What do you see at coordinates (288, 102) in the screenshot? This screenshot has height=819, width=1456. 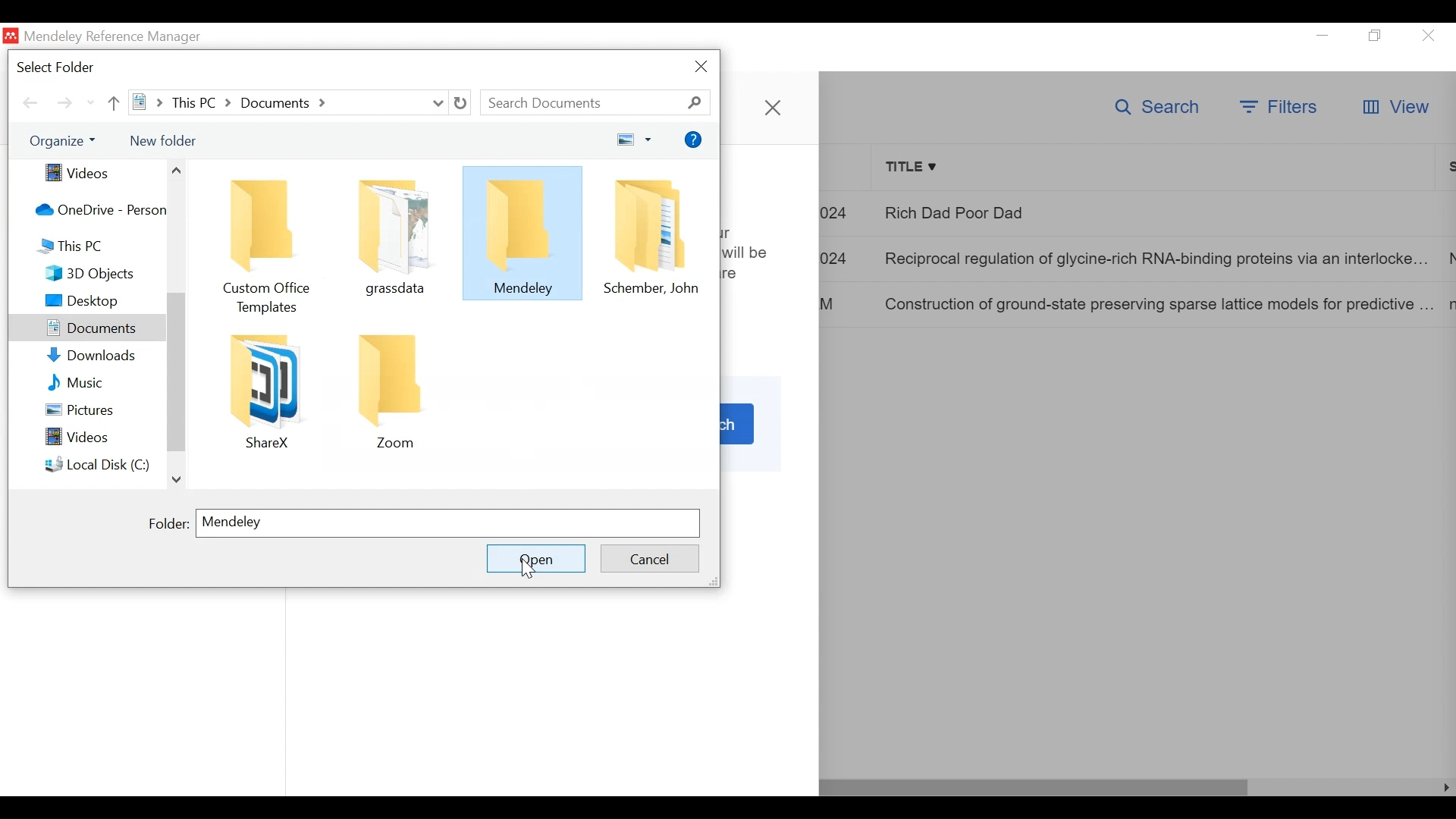 I see `this PC > Documents` at bounding box center [288, 102].